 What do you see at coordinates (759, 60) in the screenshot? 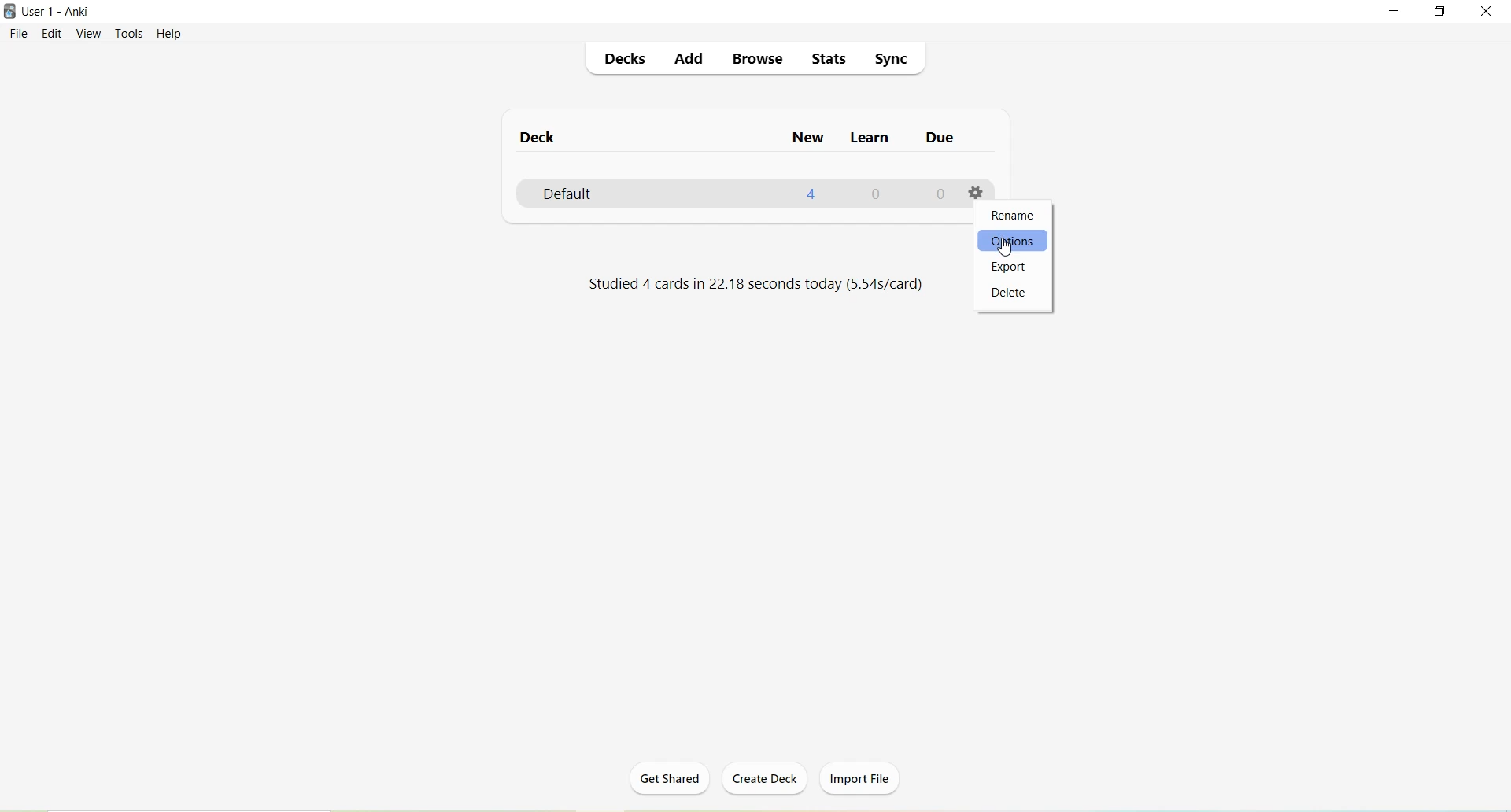
I see `Browse` at bounding box center [759, 60].